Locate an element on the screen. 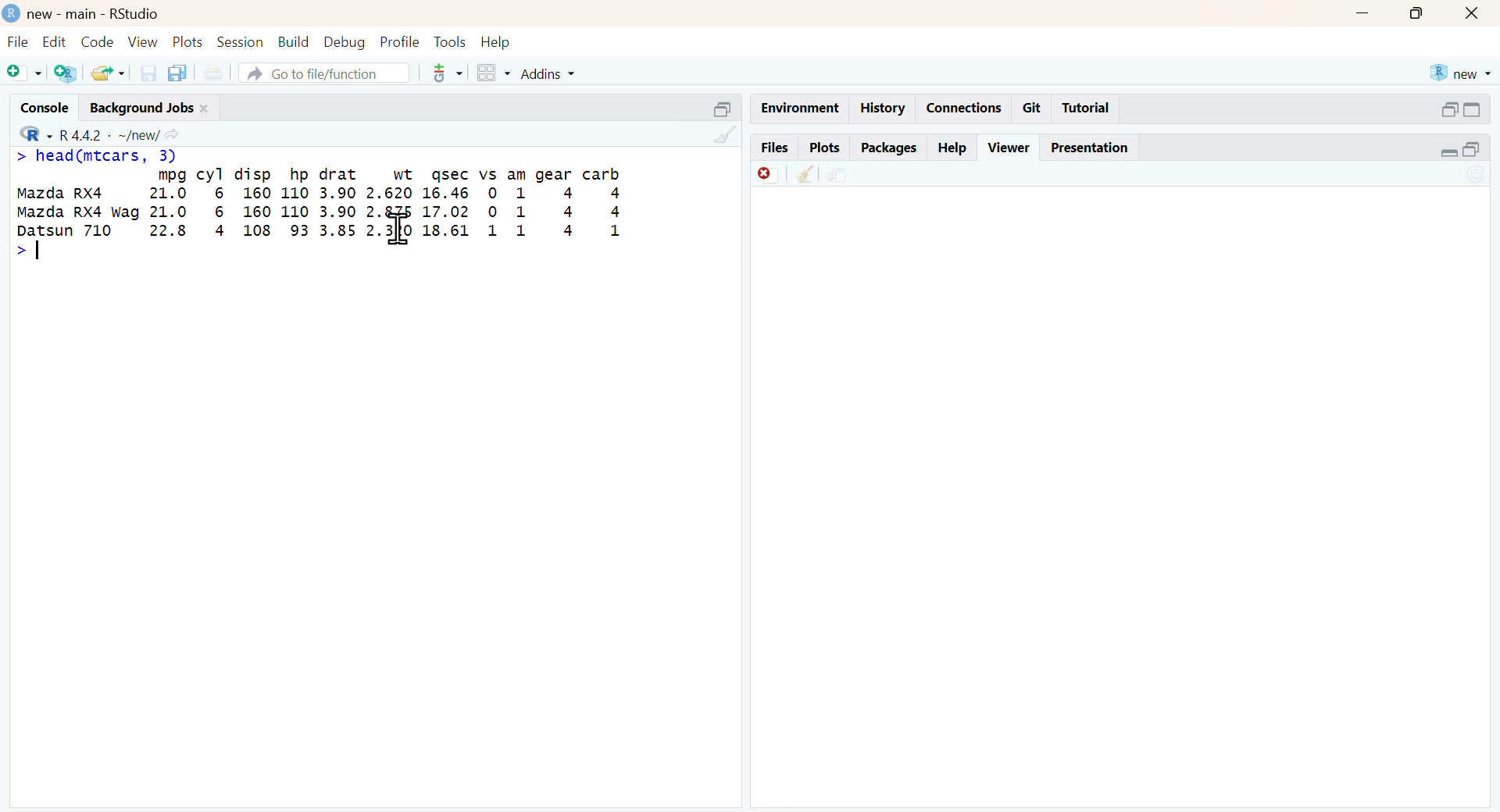 Image resolution: width=1500 pixels, height=812 pixels. View is located at coordinates (142, 41).